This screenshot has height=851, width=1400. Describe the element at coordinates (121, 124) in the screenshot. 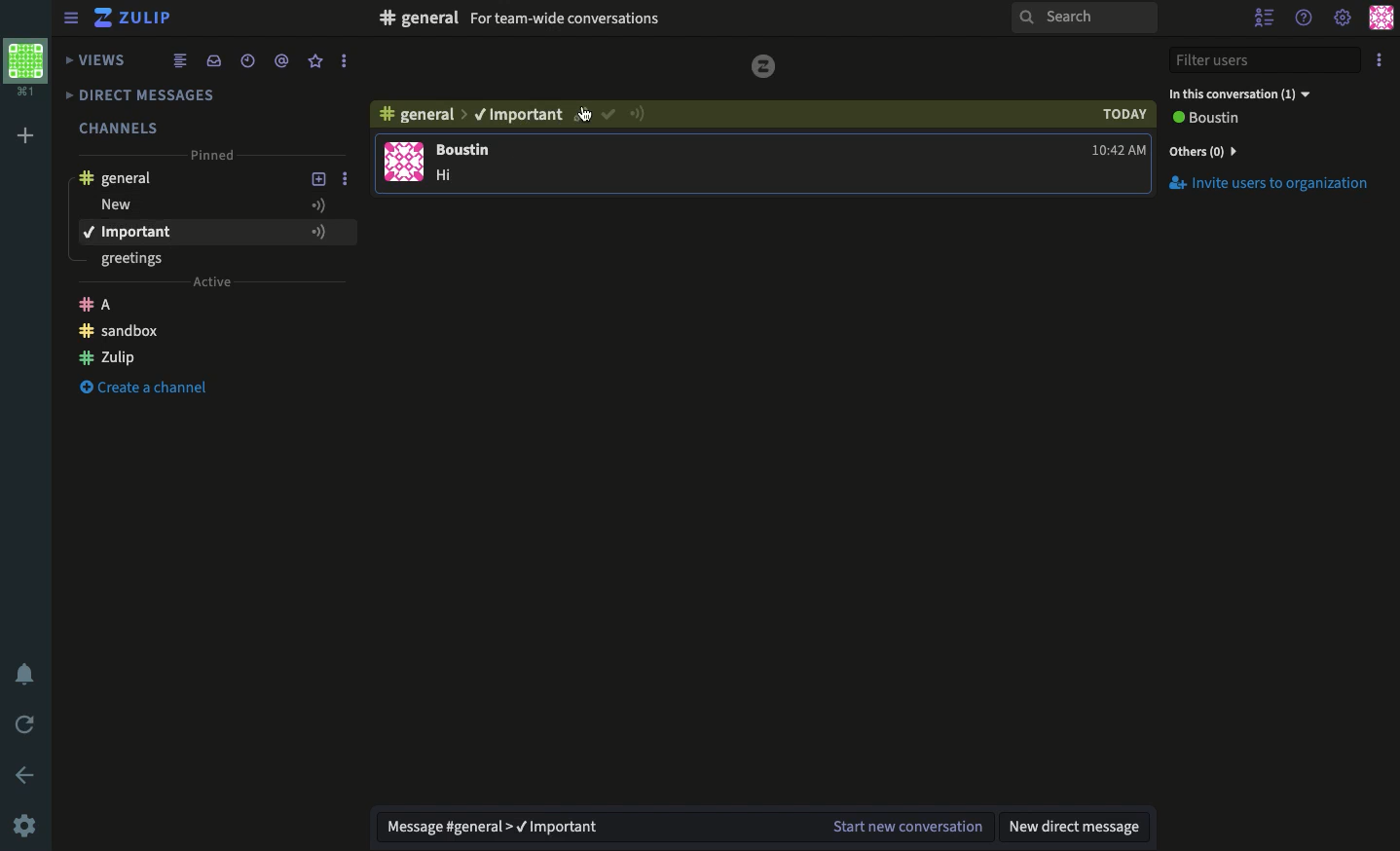

I see `Channels` at that location.